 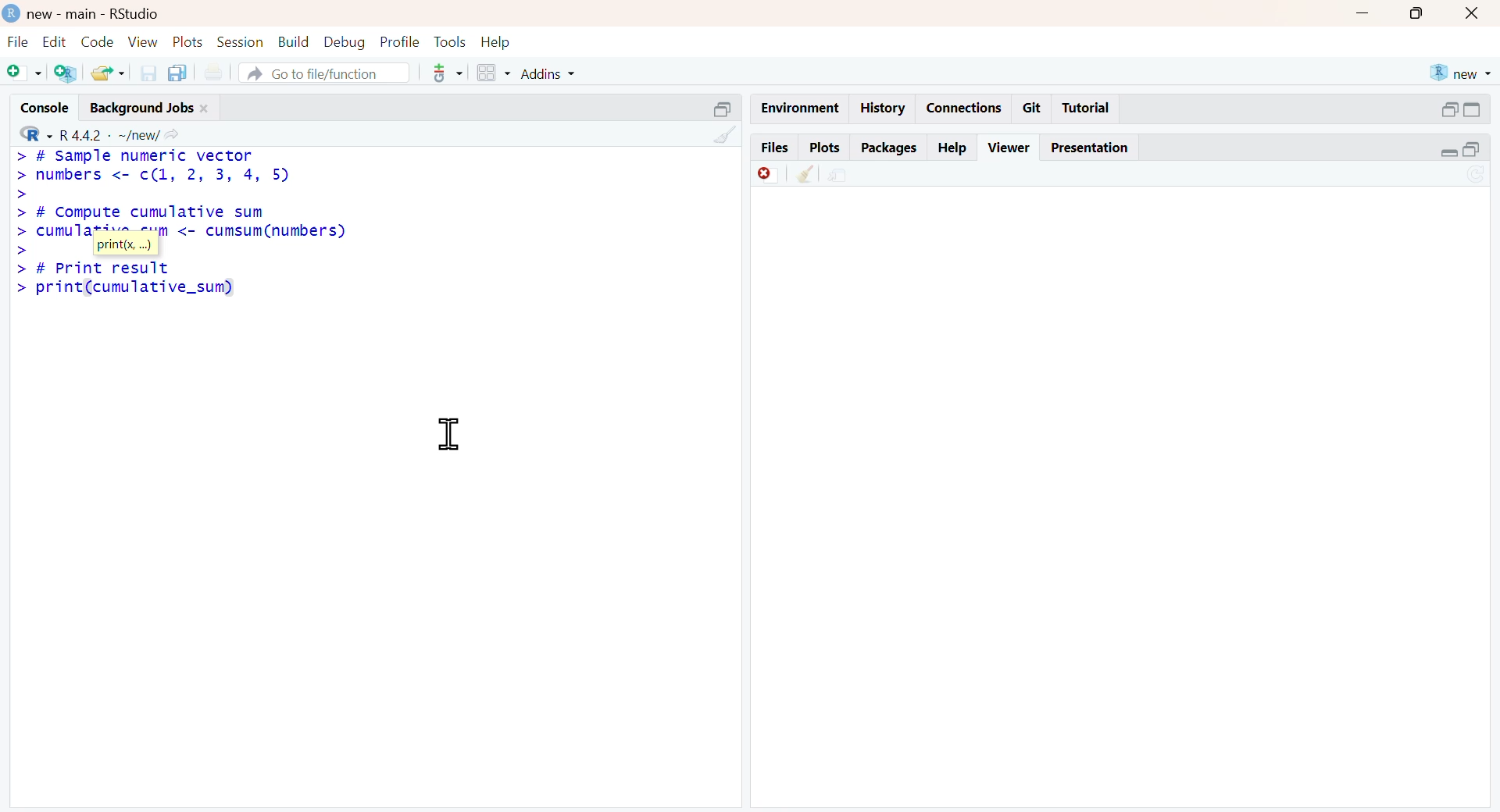 What do you see at coordinates (143, 109) in the screenshot?
I see `Background jobs` at bounding box center [143, 109].